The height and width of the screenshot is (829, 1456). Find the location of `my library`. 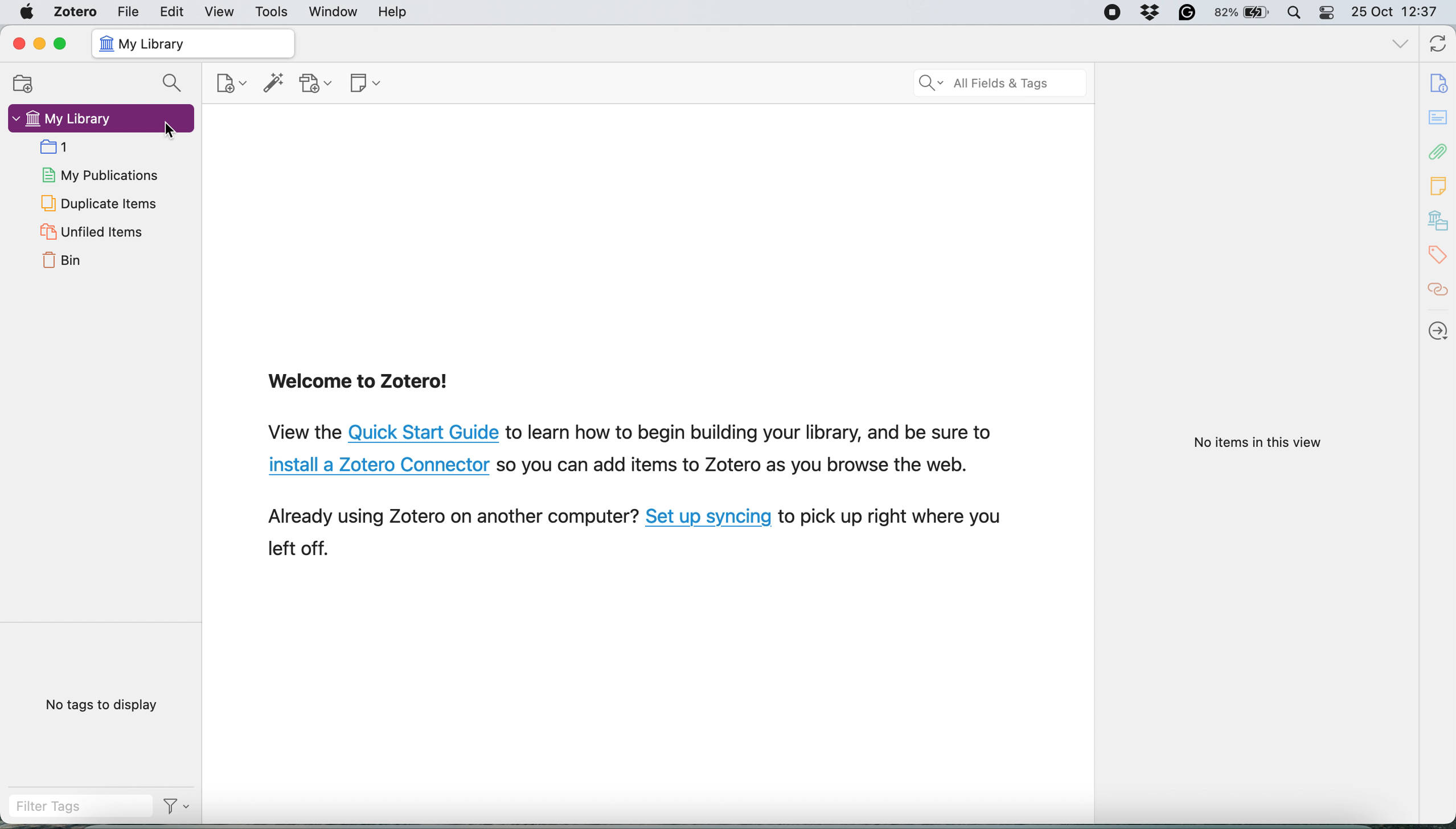

my library is located at coordinates (63, 119).